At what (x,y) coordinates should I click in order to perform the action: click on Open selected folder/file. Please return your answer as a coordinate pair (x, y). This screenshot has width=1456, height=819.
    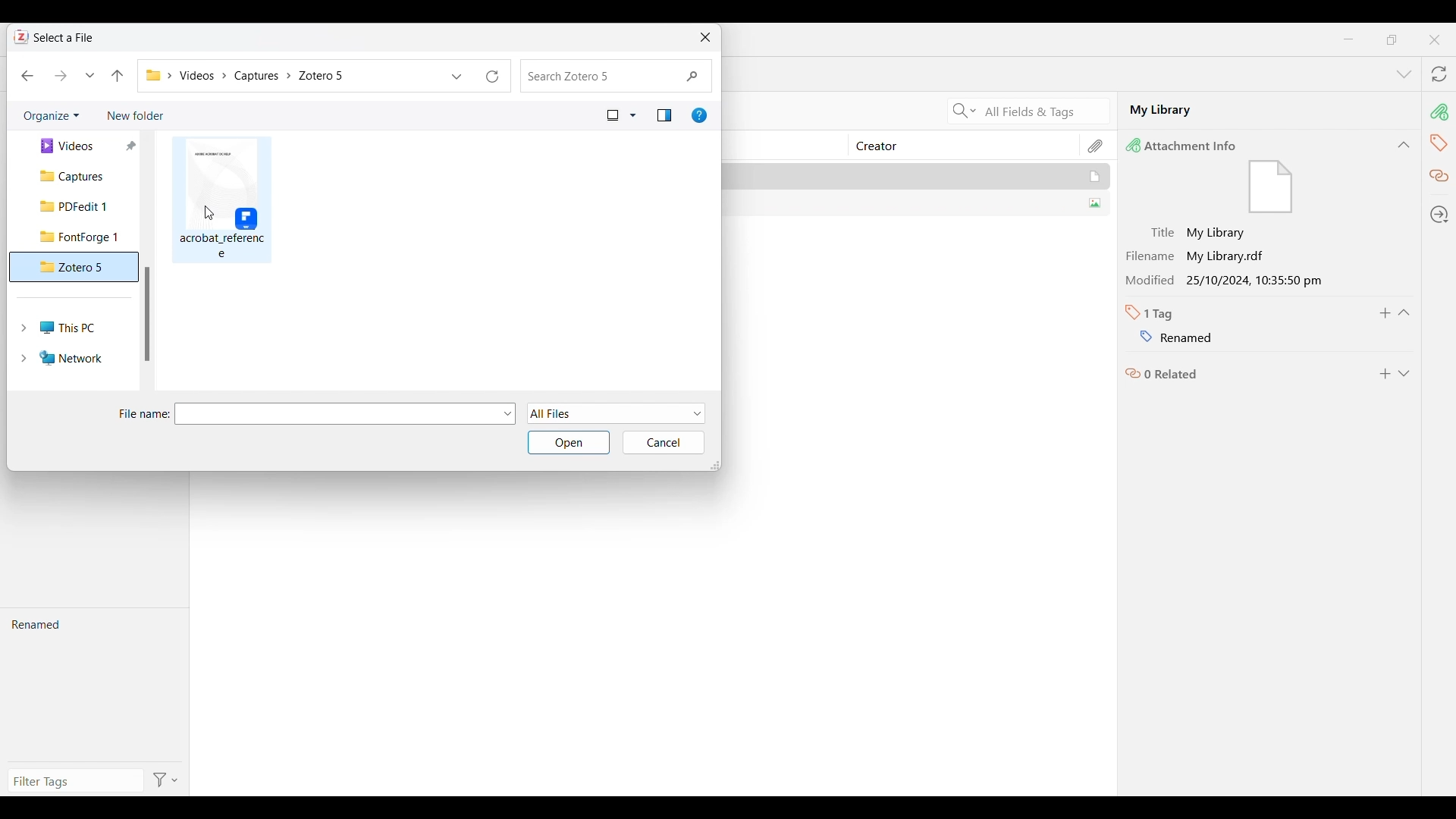
    Looking at the image, I should click on (570, 442).